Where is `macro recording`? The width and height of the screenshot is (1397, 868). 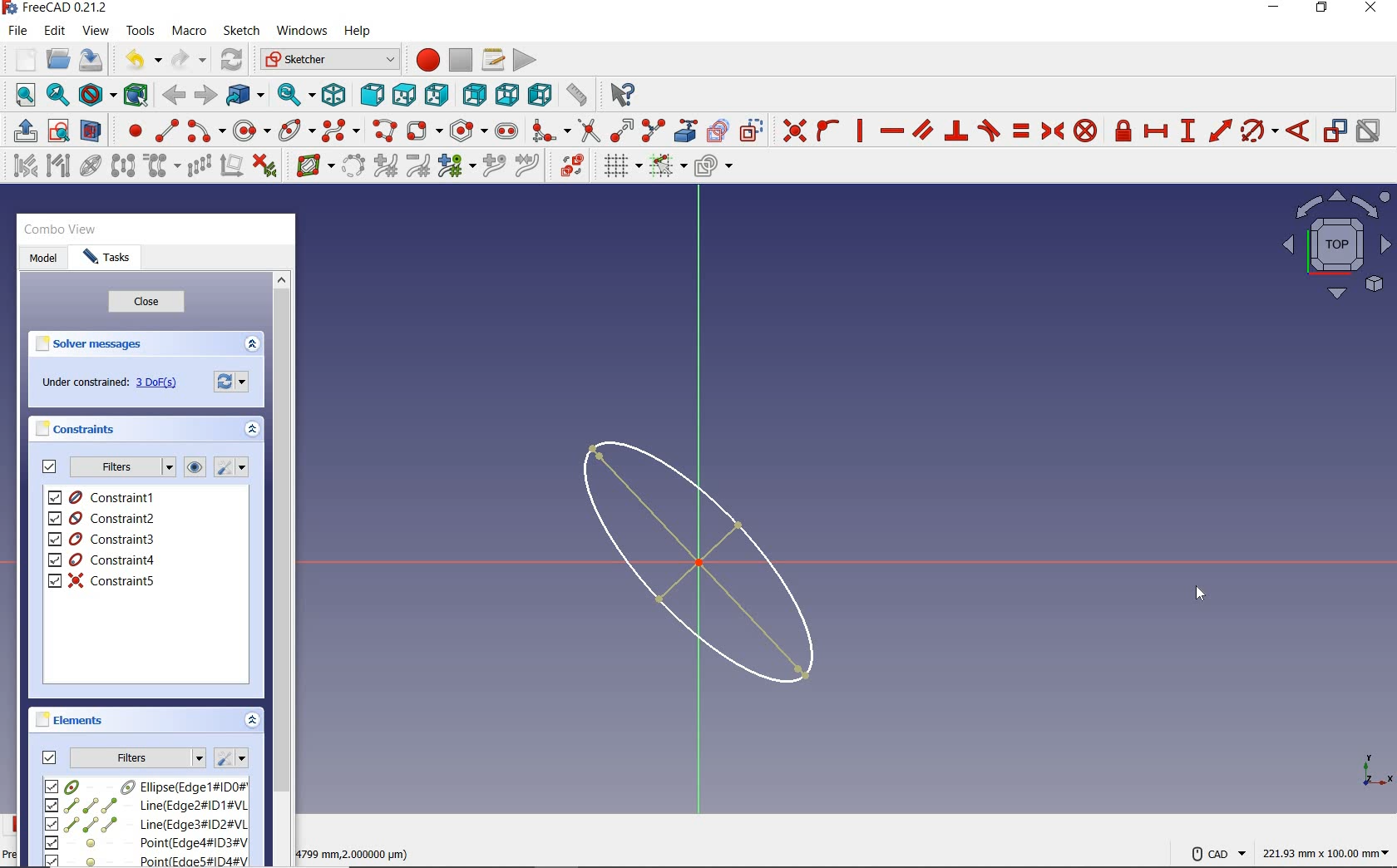 macro recording is located at coordinates (422, 59).